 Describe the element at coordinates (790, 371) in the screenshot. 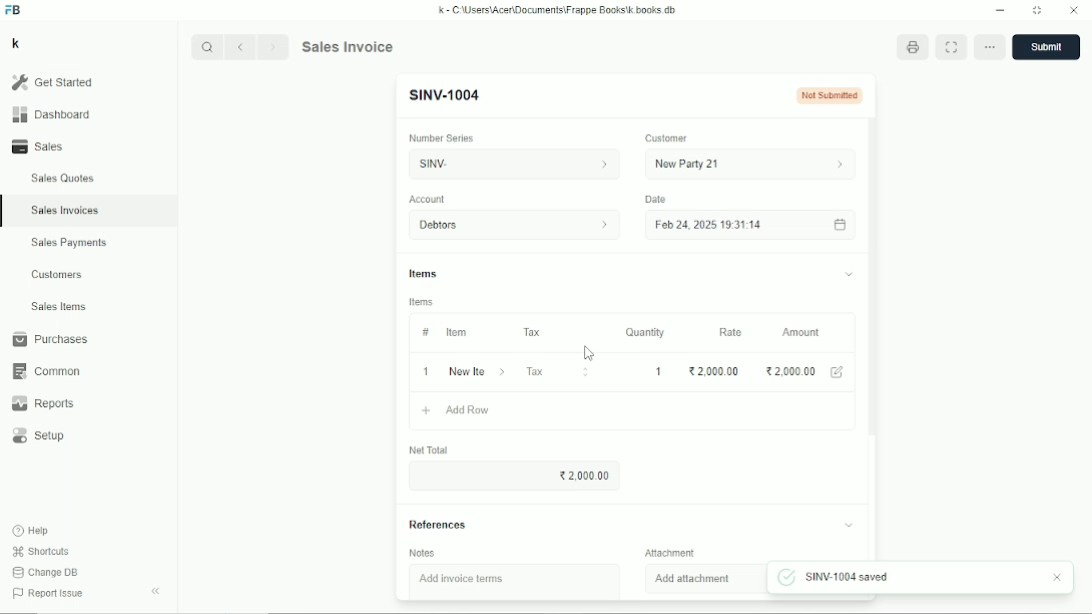

I see `2000.00` at that location.